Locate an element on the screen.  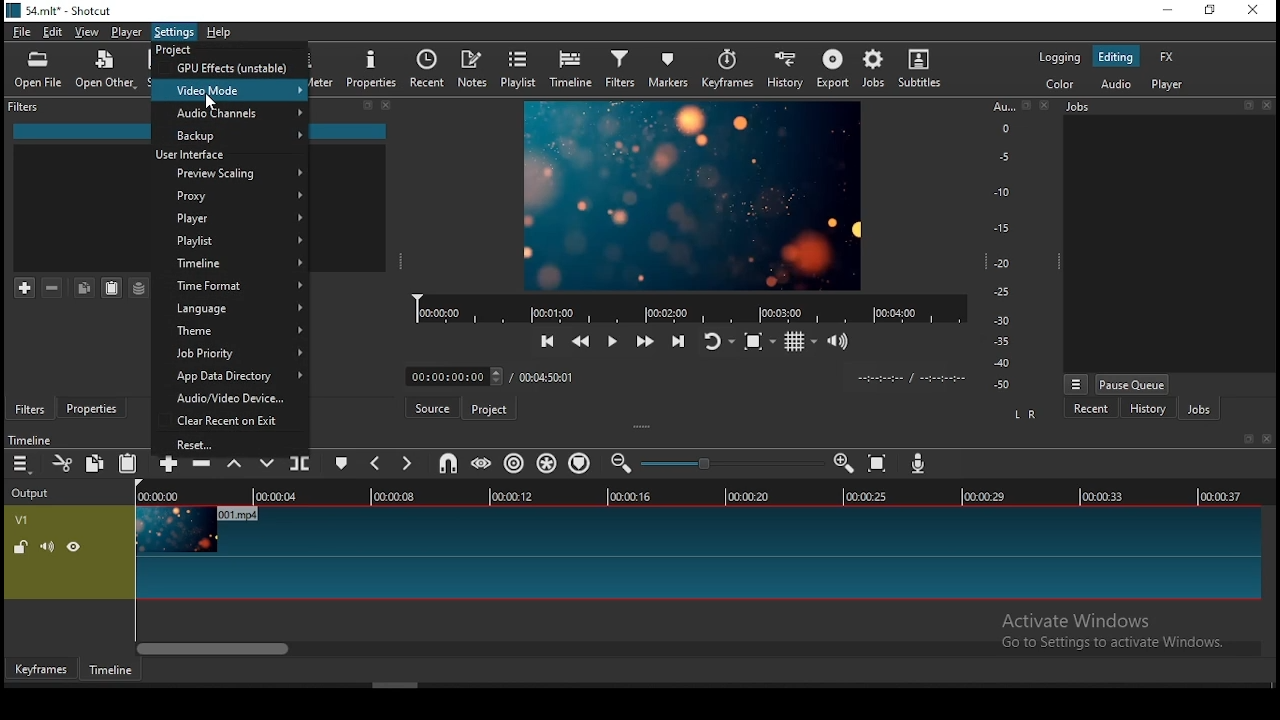
playlist is located at coordinates (520, 68).